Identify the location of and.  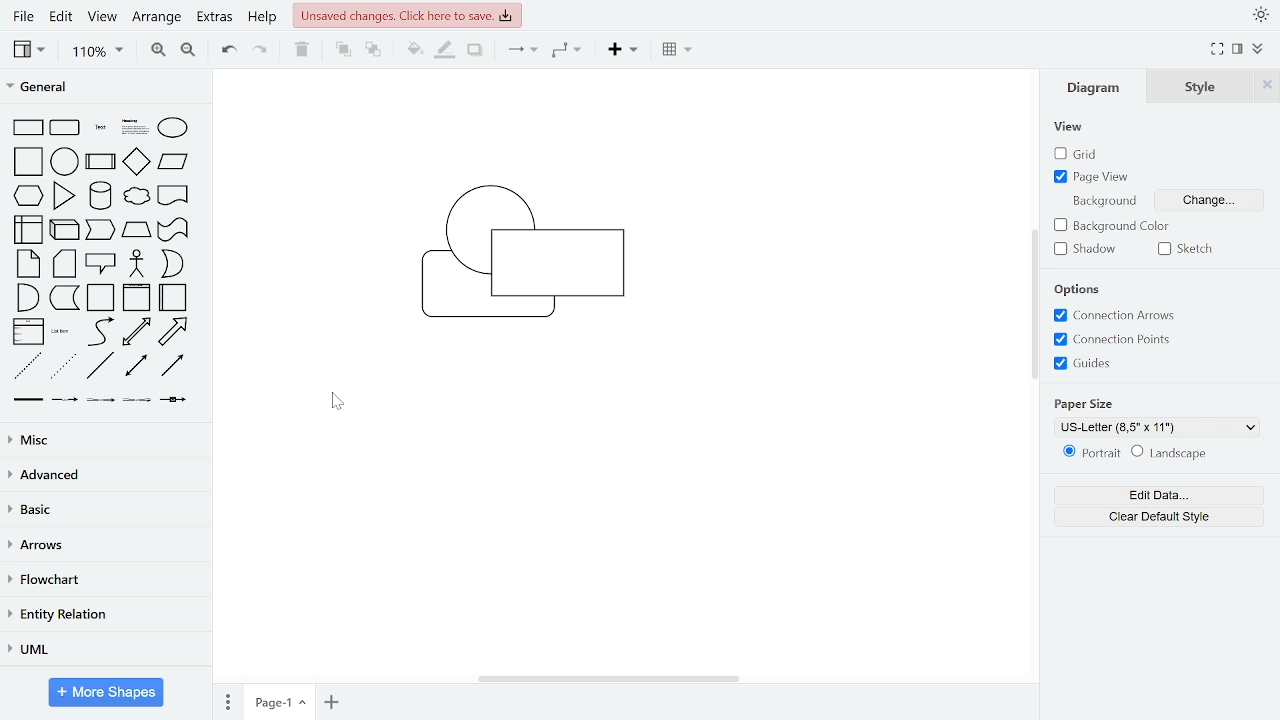
(27, 297).